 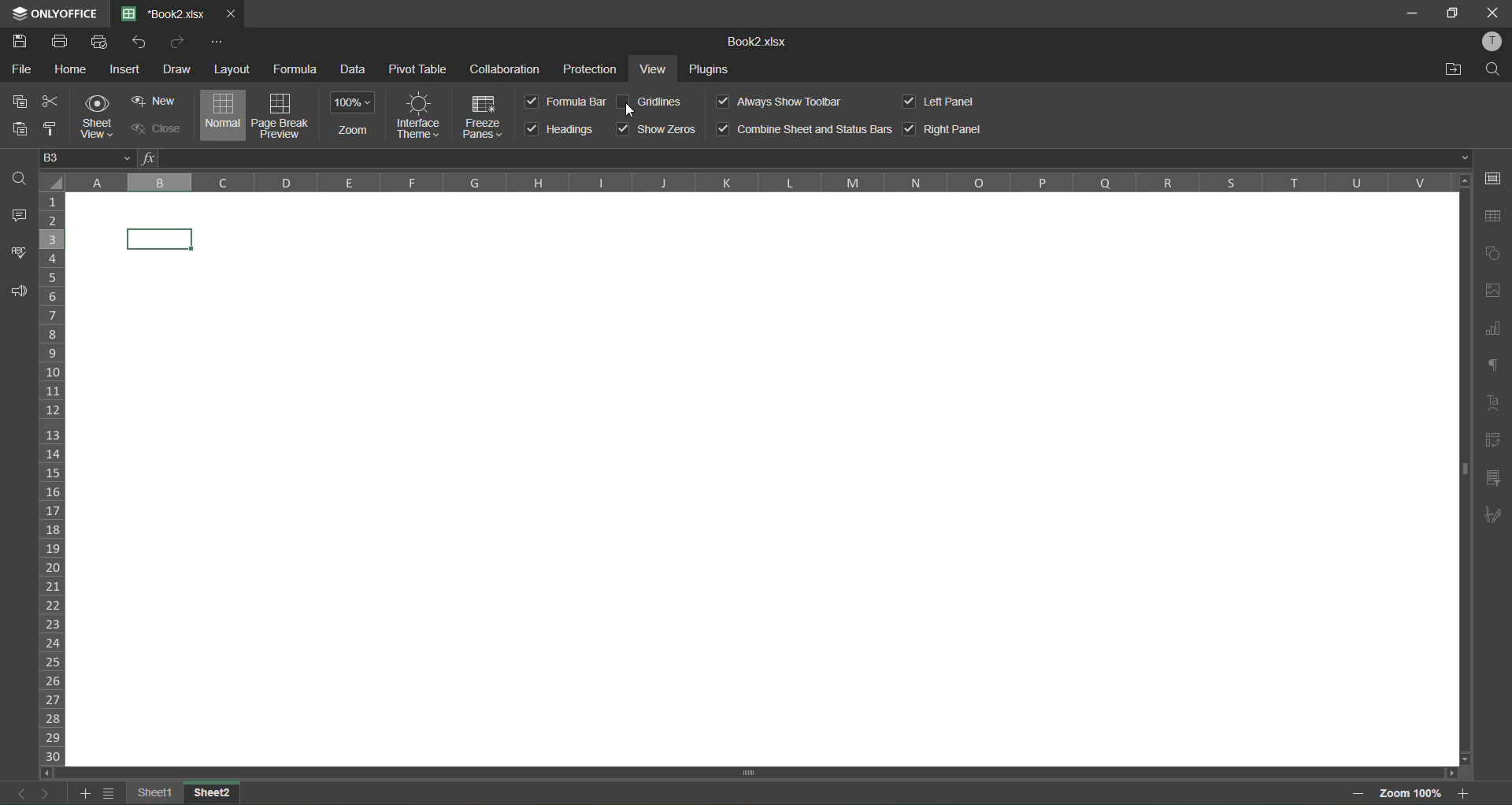 I want to click on freeze panes, so click(x=486, y=115).